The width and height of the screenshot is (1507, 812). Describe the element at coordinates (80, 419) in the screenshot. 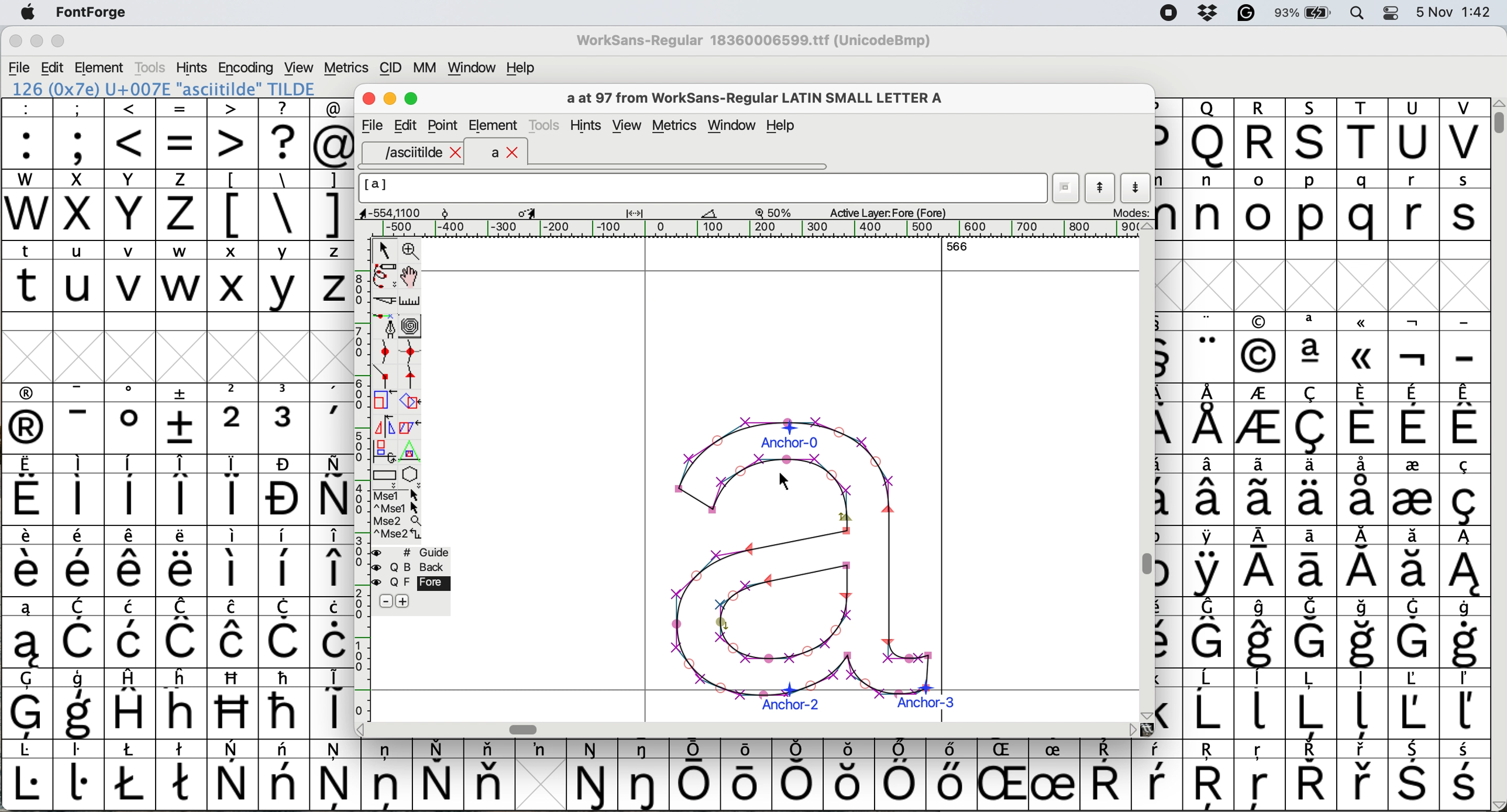

I see `symbol` at that location.